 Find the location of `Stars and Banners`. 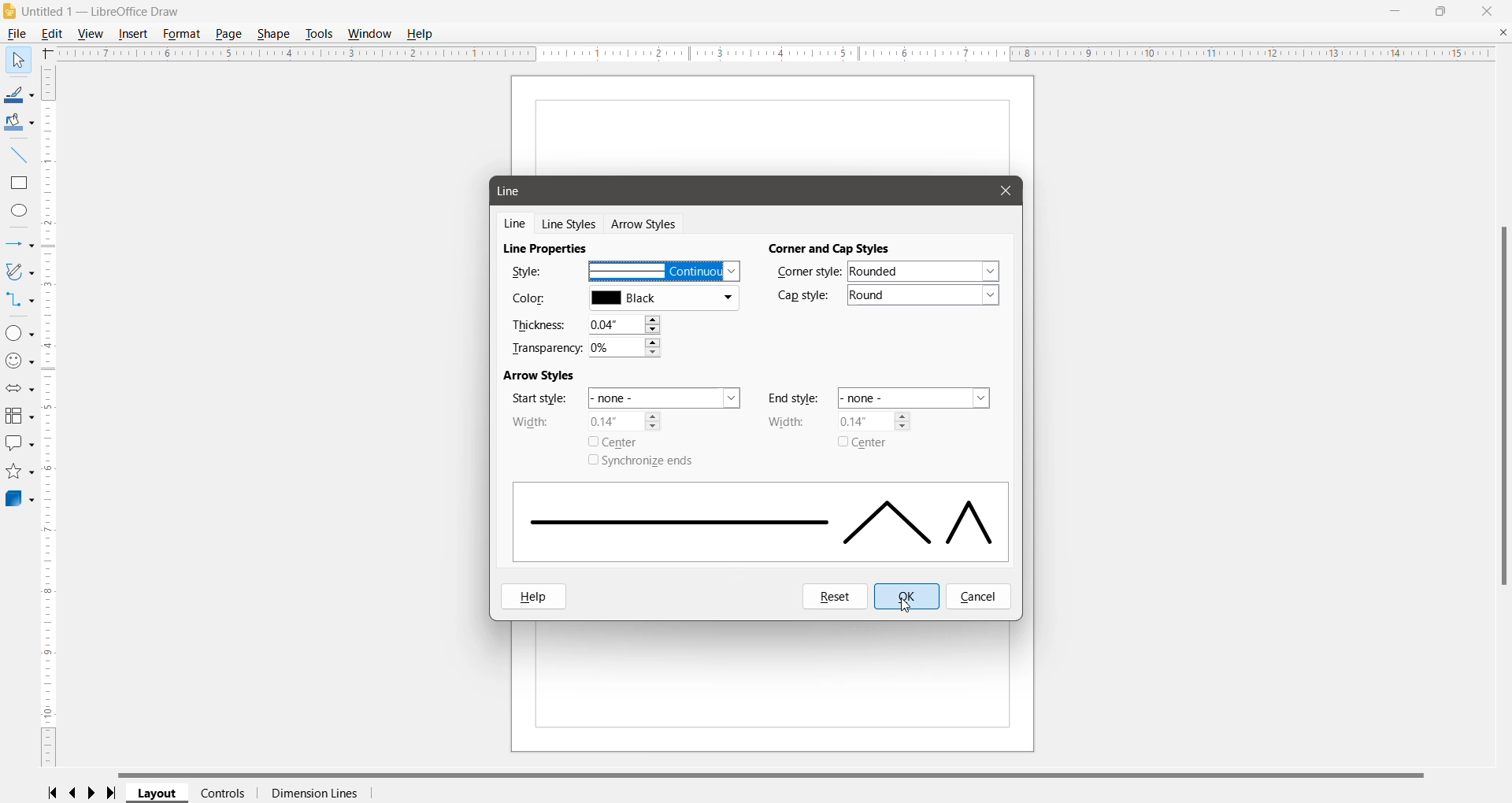

Stars and Banners is located at coordinates (19, 472).